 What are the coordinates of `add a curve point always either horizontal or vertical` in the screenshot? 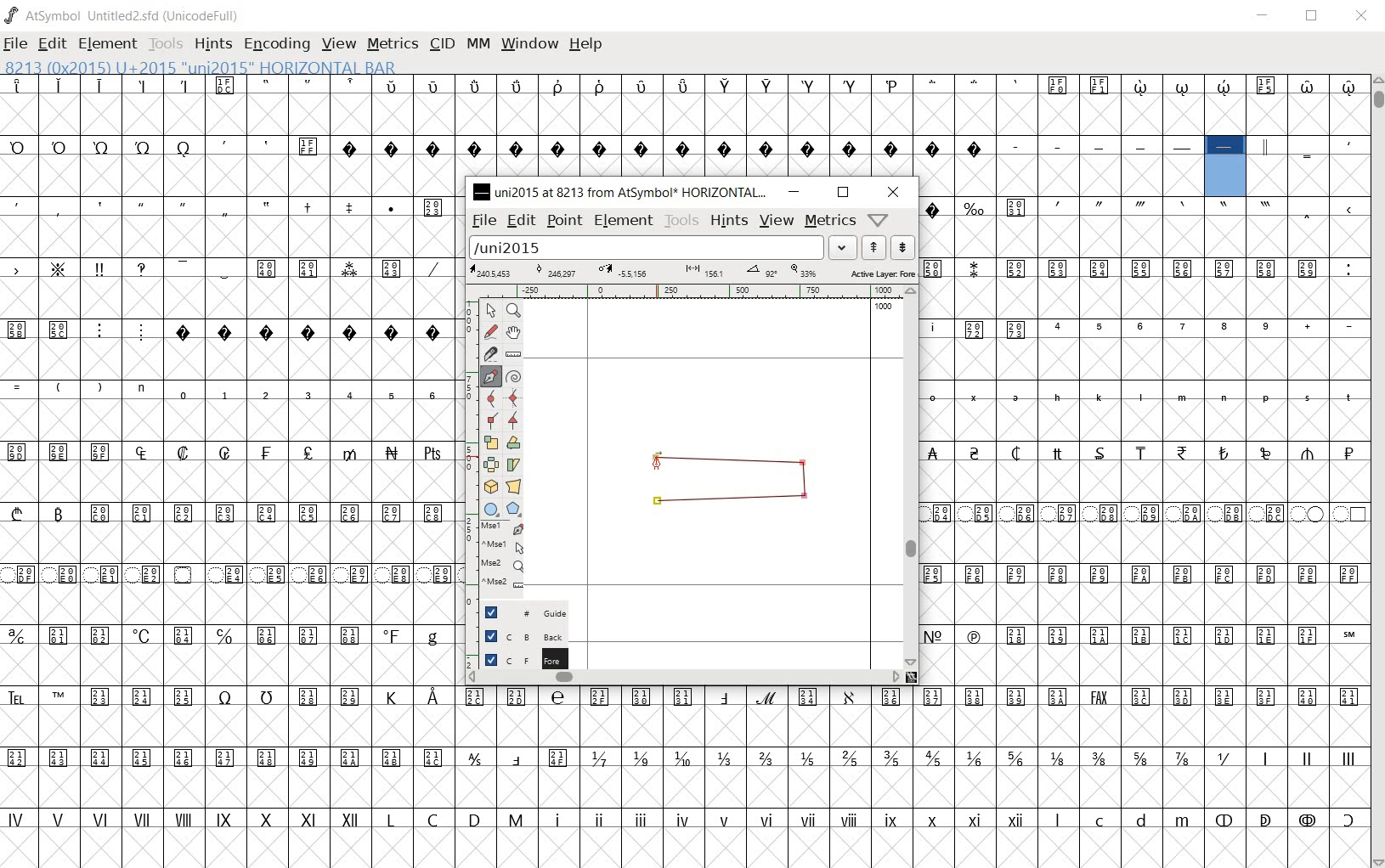 It's located at (512, 398).